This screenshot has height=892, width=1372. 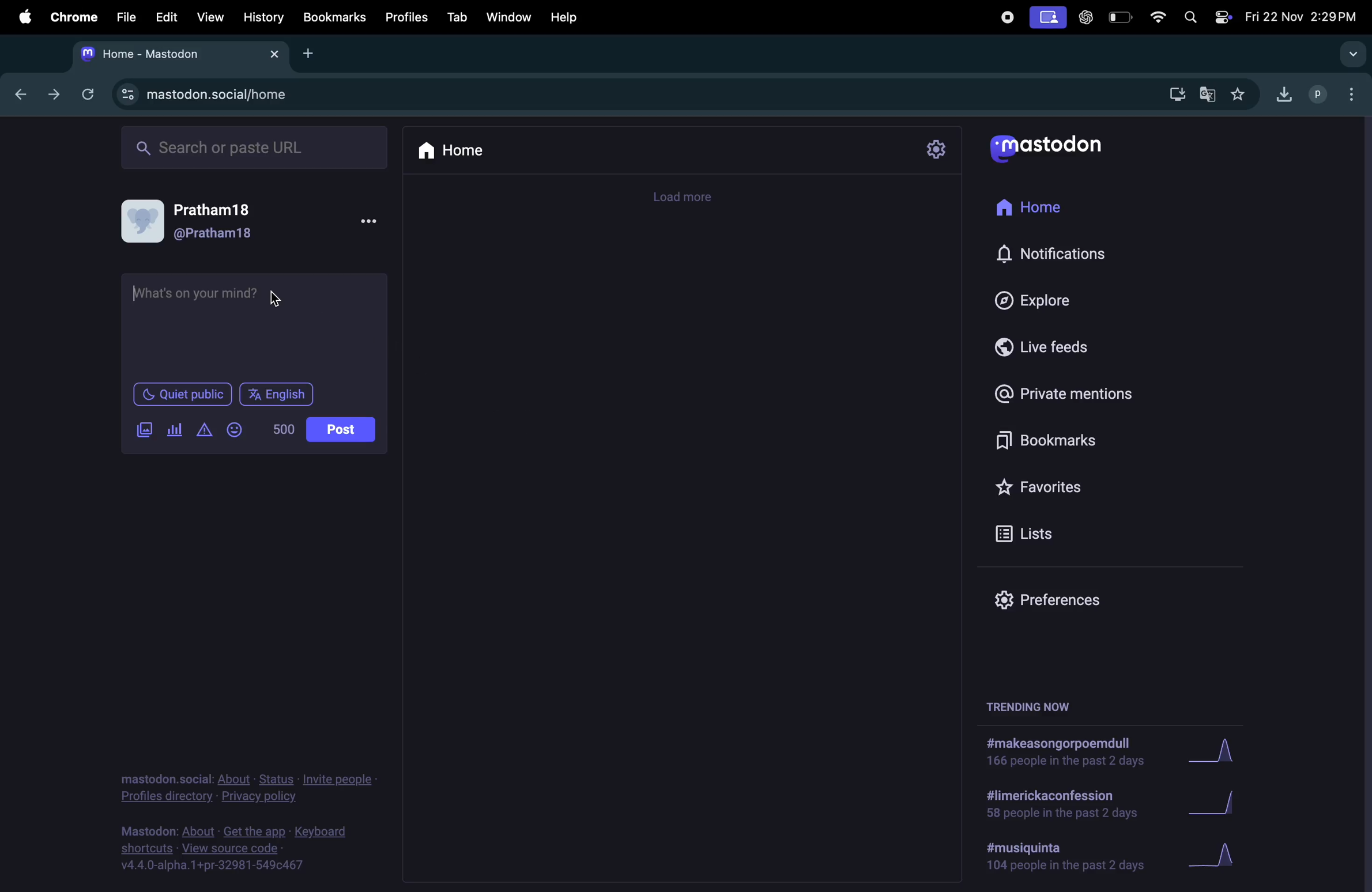 What do you see at coordinates (455, 16) in the screenshot?
I see `tab` at bounding box center [455, 16].